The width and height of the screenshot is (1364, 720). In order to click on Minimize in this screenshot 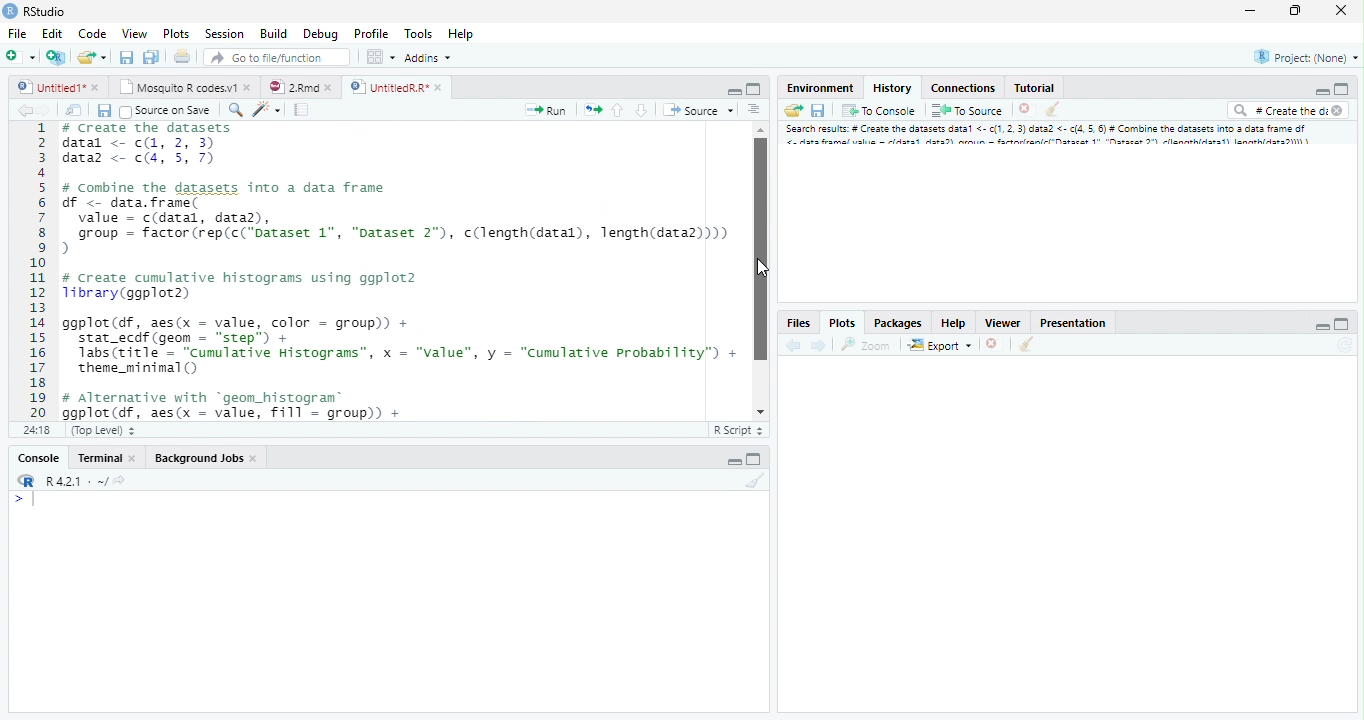, I will do `click(1319, 325)`.